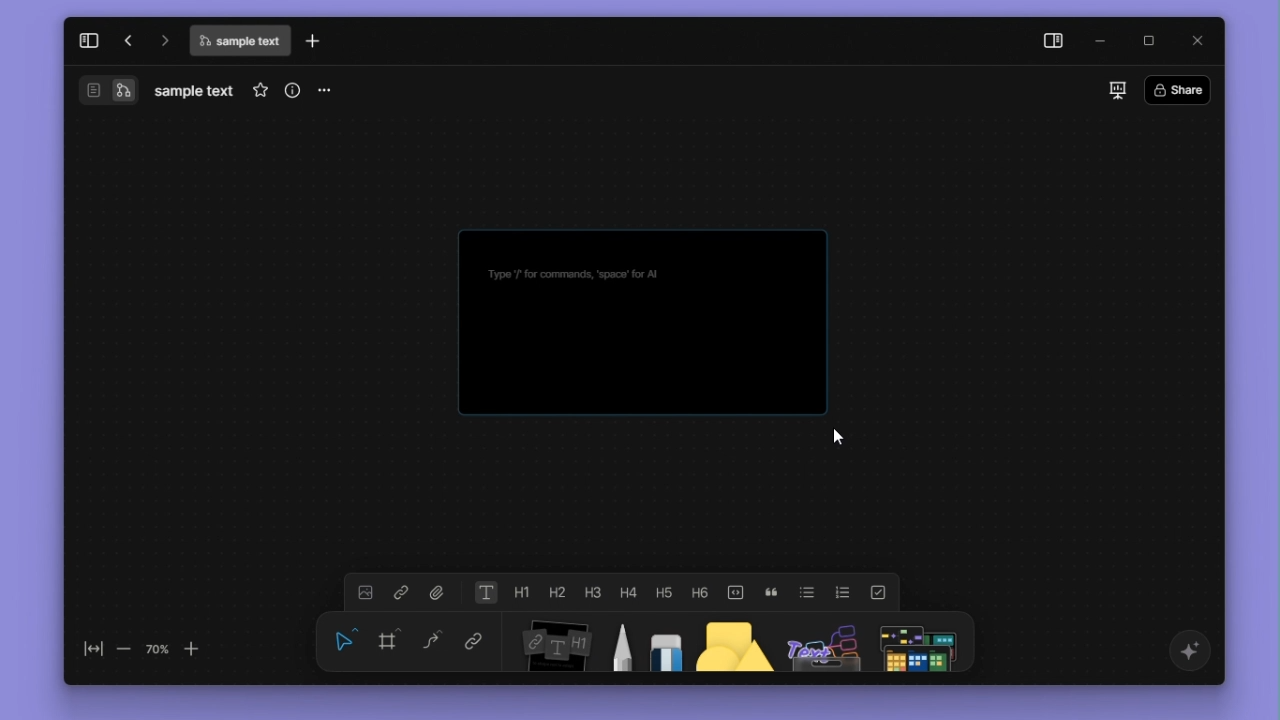  What do you see at coordinates (1113, 89) in the screenshot?
I see `slideshow` at bounding box center [1113, 89].